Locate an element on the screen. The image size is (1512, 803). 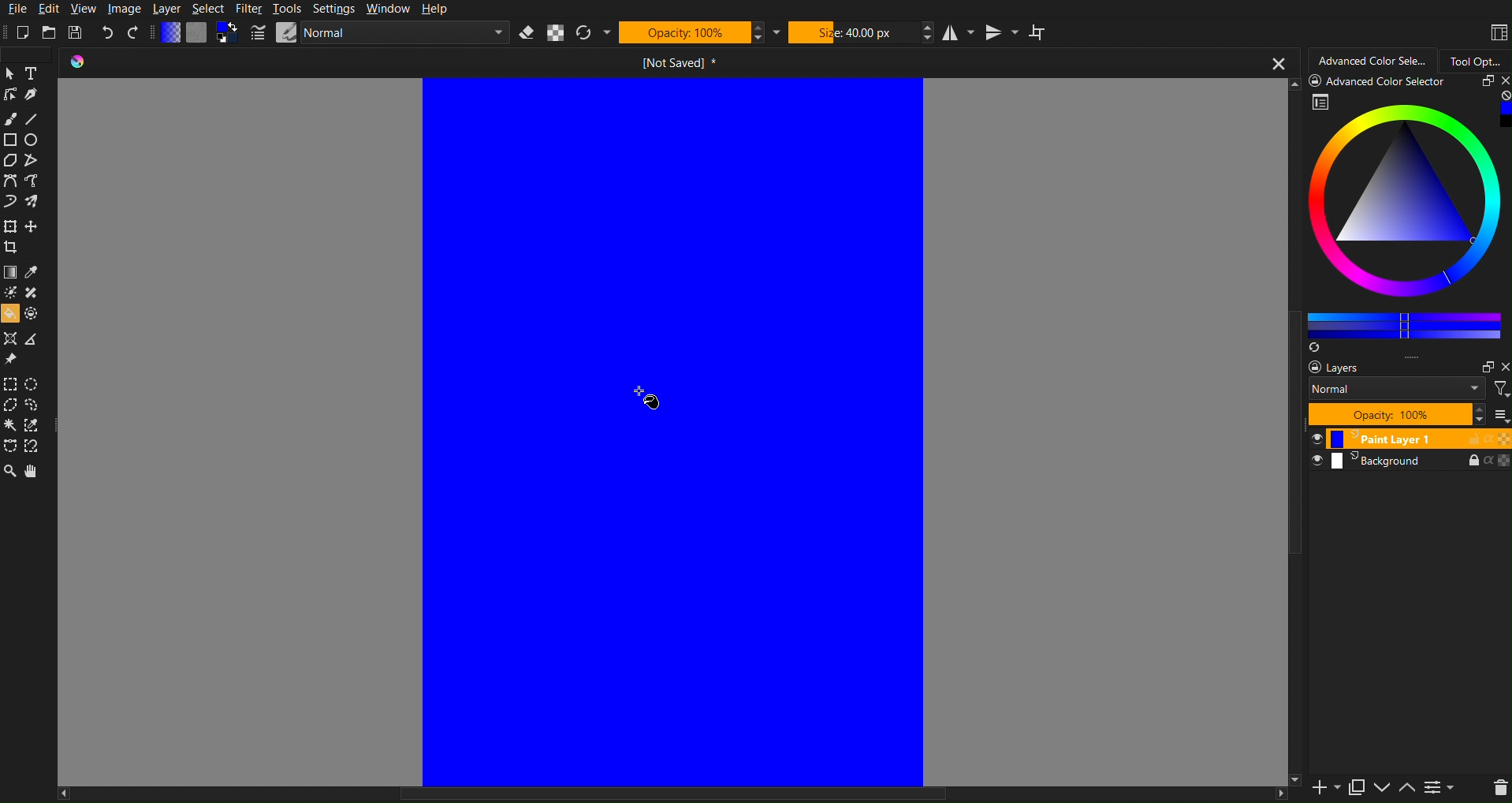
 is located at coordinates (1382, 80).